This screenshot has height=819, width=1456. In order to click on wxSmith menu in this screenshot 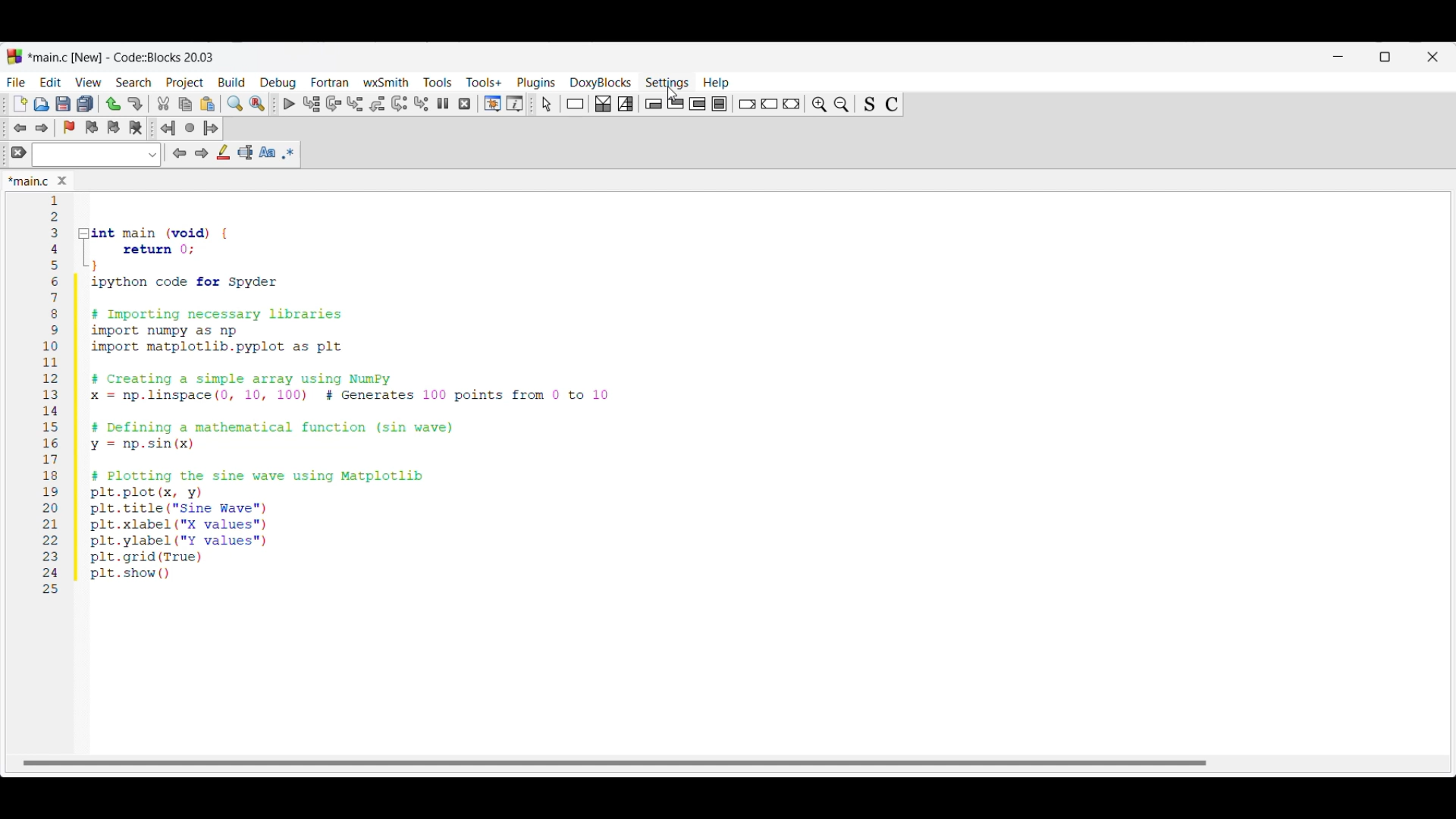, I will do `click(387, 82)`.